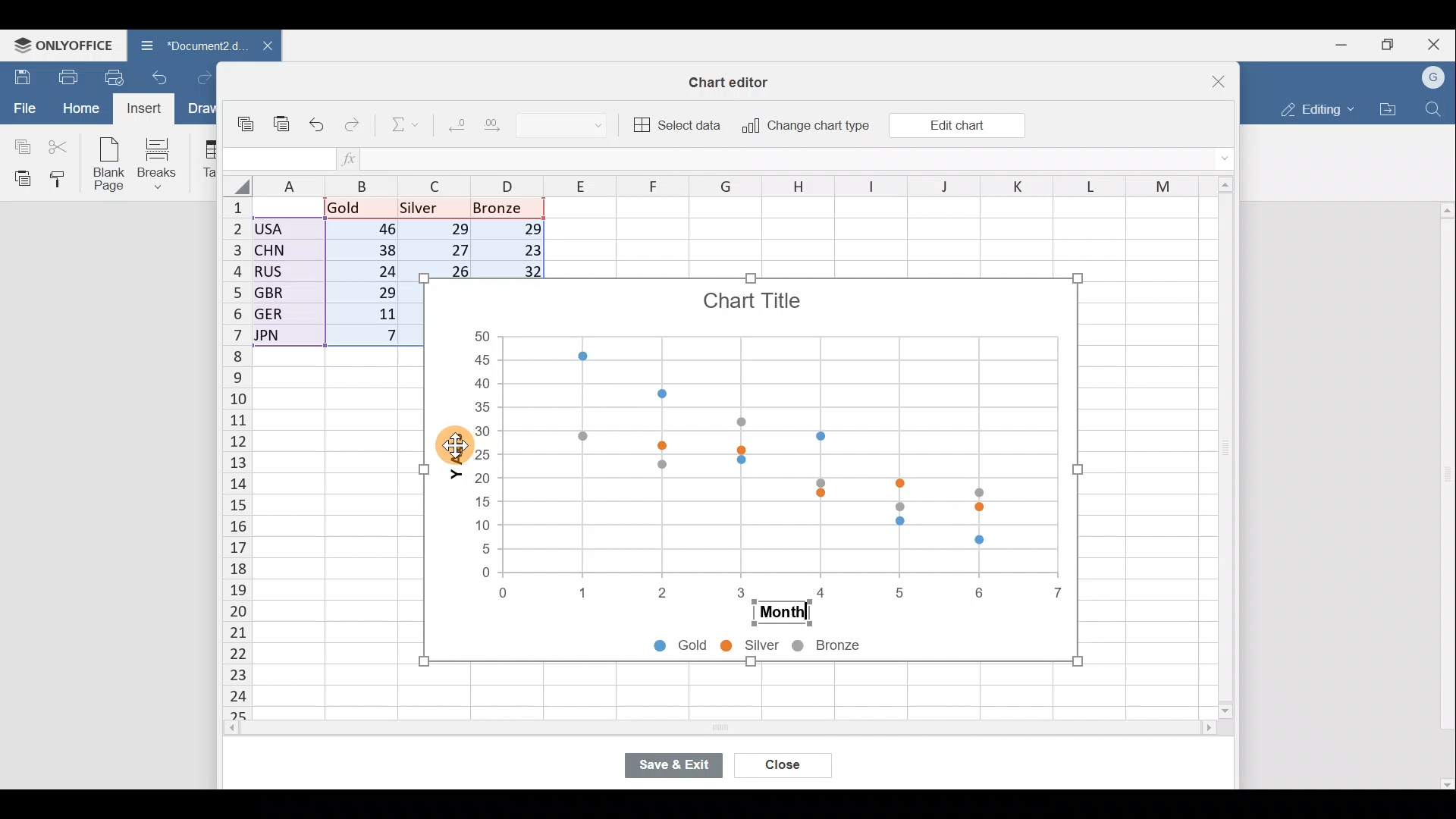 This screenshot has height=819, width=1456. I want to click on Save & exit, so click(678, 761).